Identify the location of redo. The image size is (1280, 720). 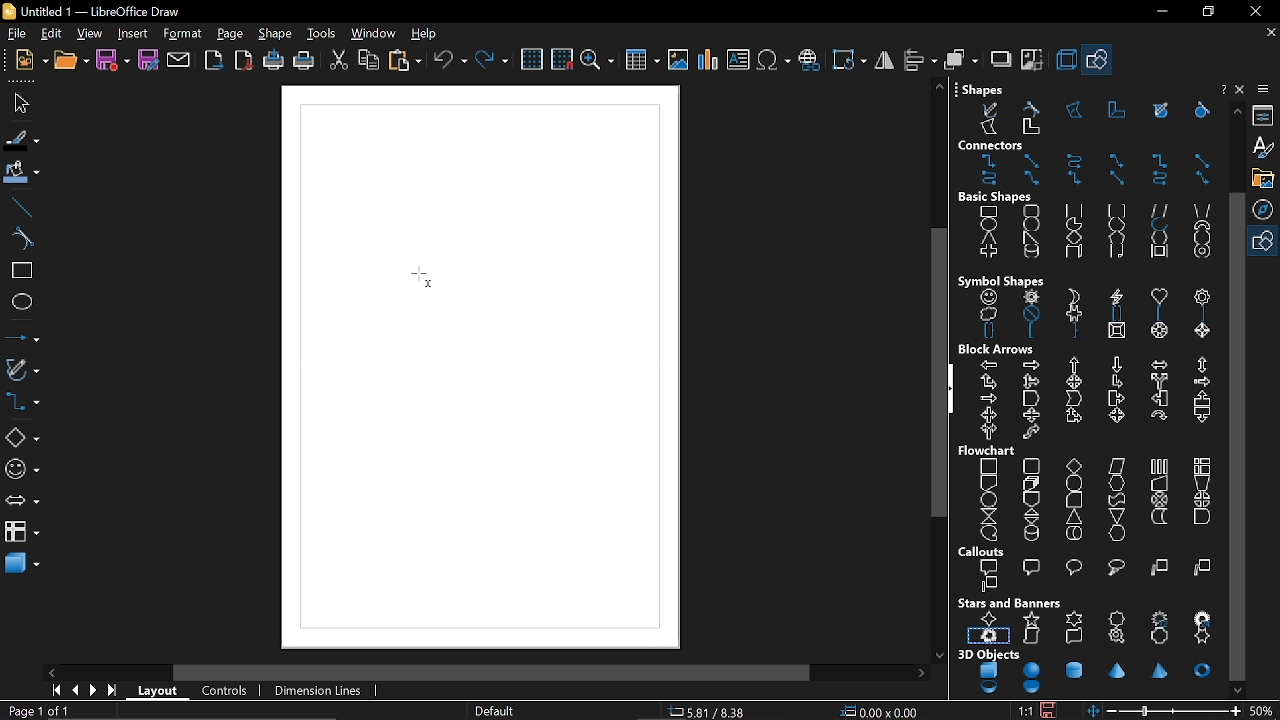
(492, 62).